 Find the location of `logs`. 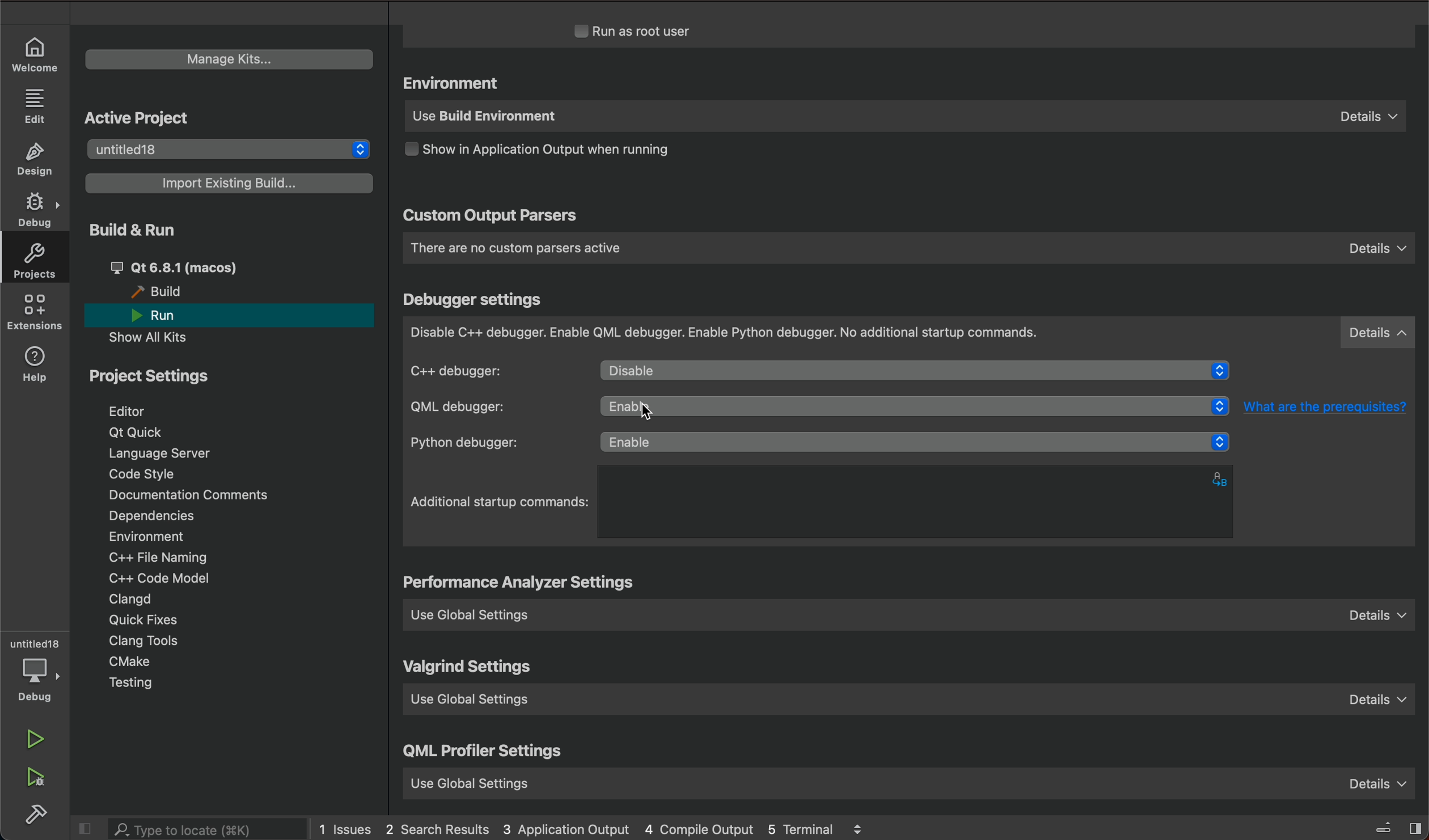

logs is located at coordinates (610, 828).